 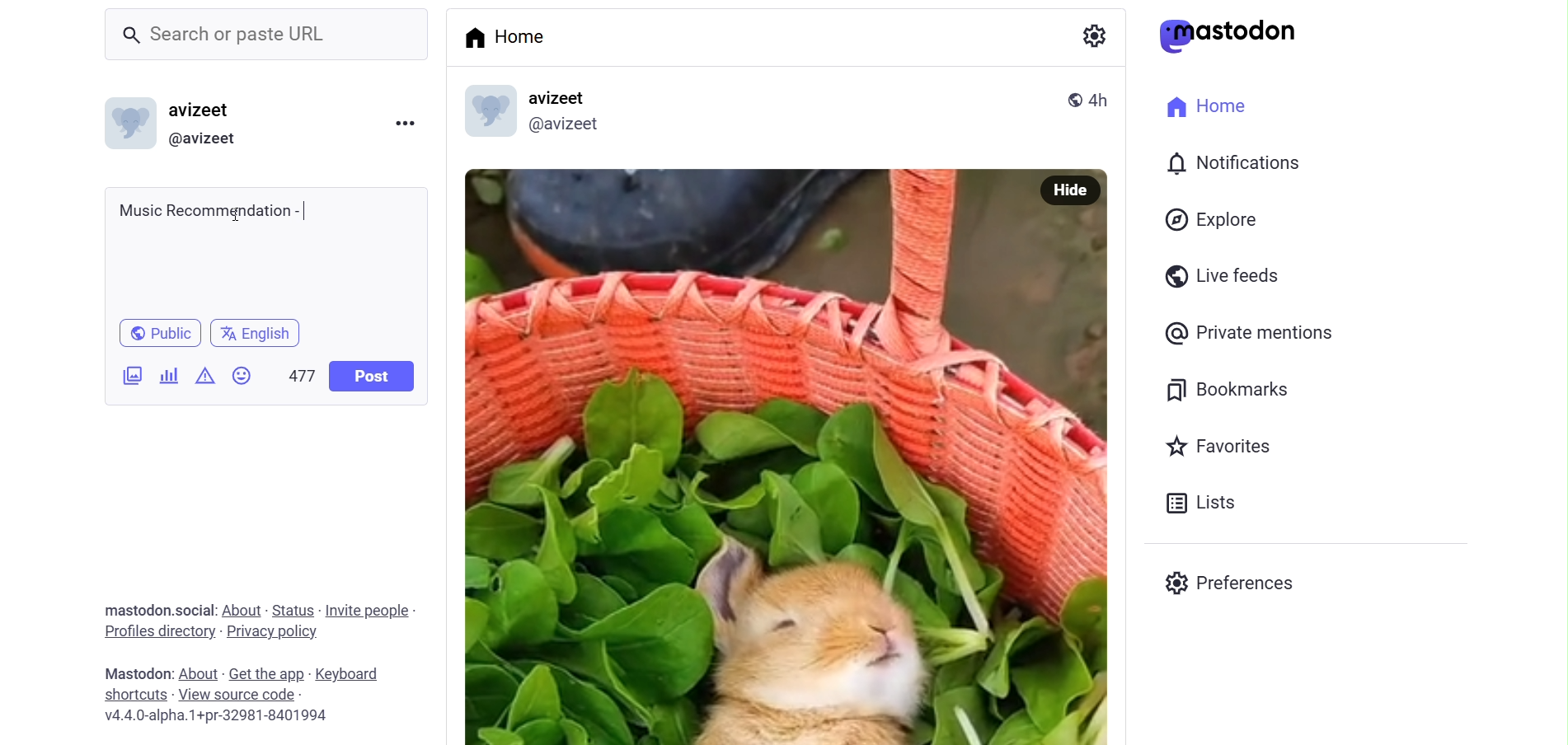 What do you see at coordinates (1226, 388) in the screenshot?
I see `Bookmarks` at bounding box center [1226, 388].